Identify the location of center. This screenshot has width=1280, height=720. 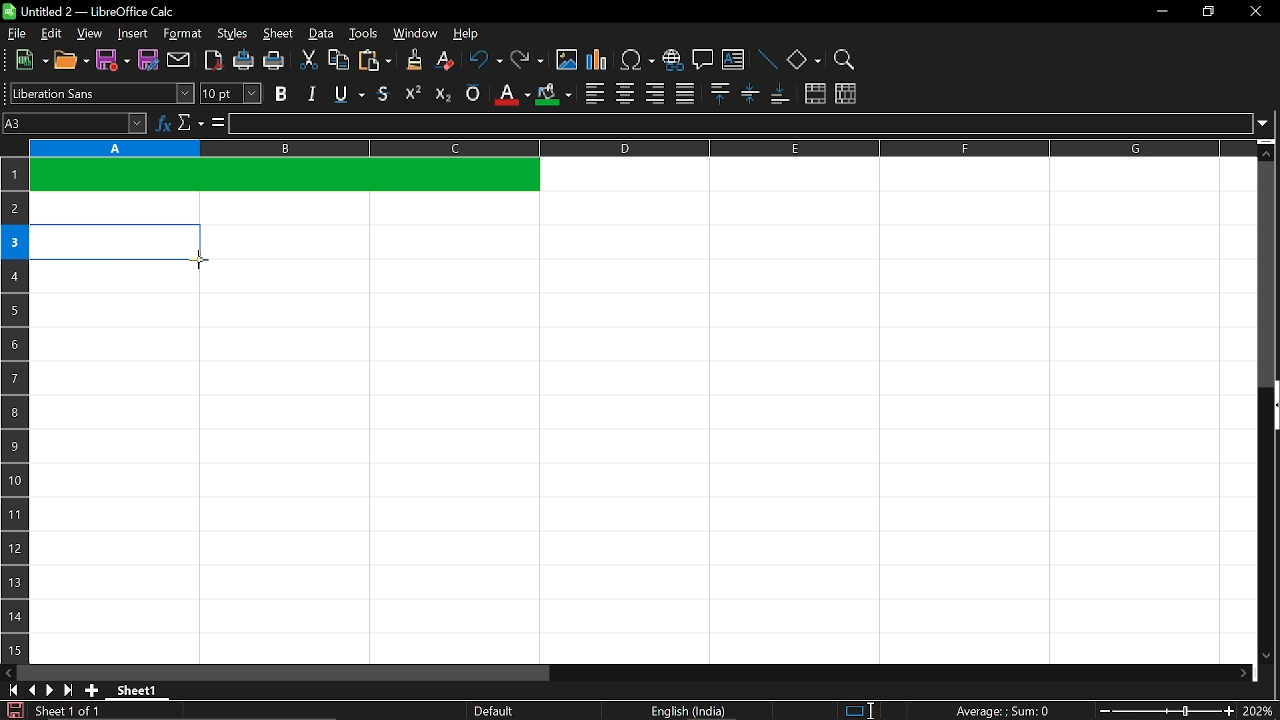
(625, 93).